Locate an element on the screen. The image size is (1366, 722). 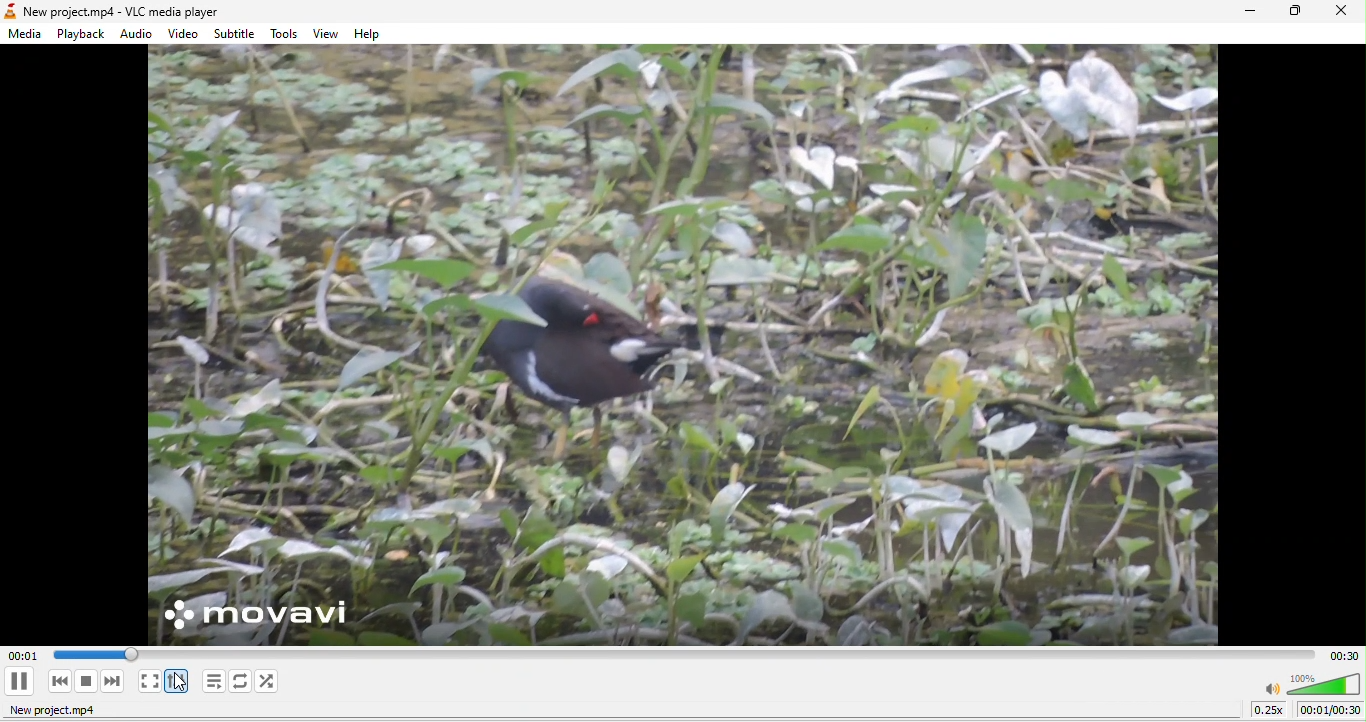
speakers is located at coordinates (1311, 684).